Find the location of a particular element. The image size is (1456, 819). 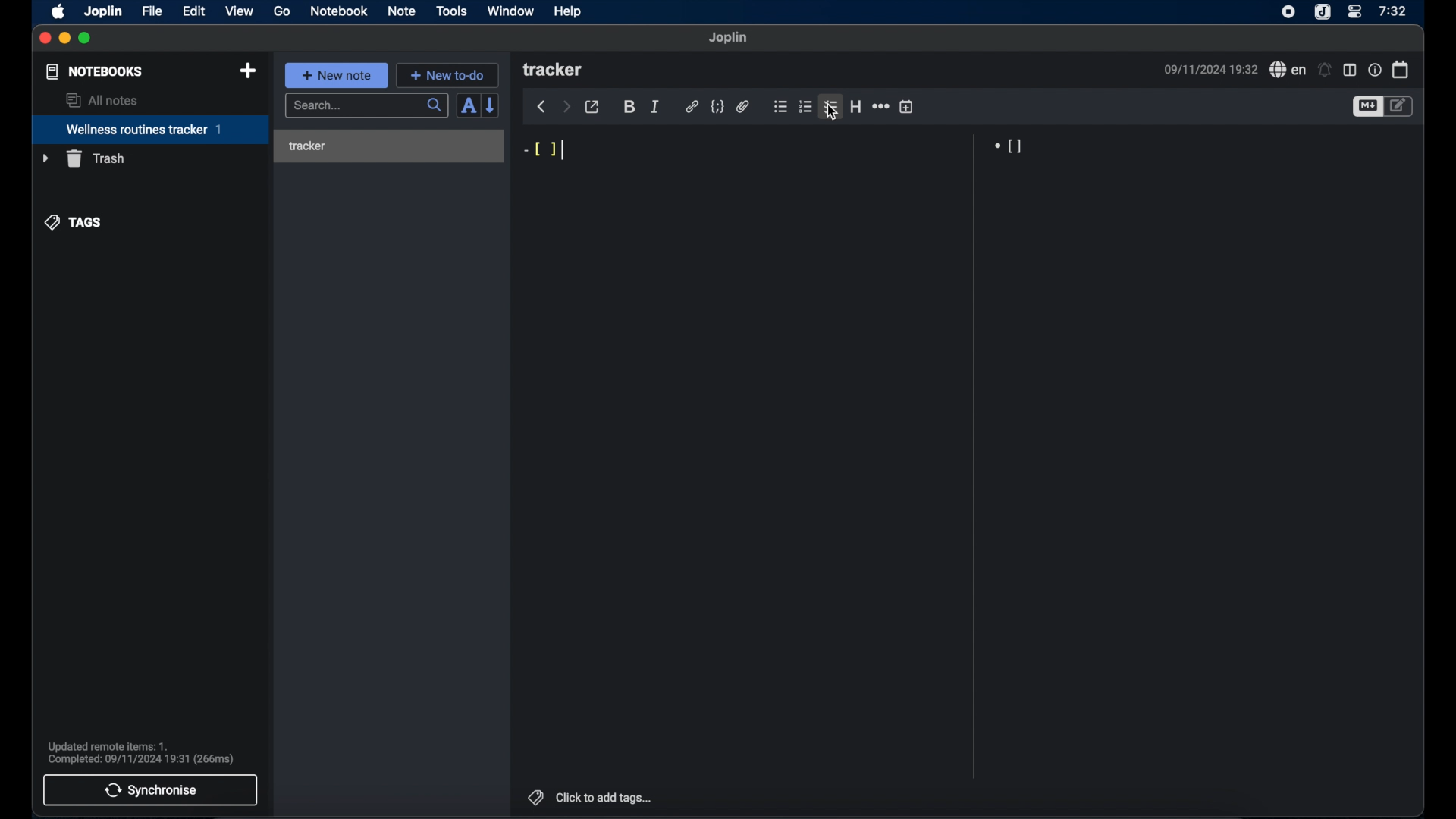

cursor is located at coordinates (833, 111).